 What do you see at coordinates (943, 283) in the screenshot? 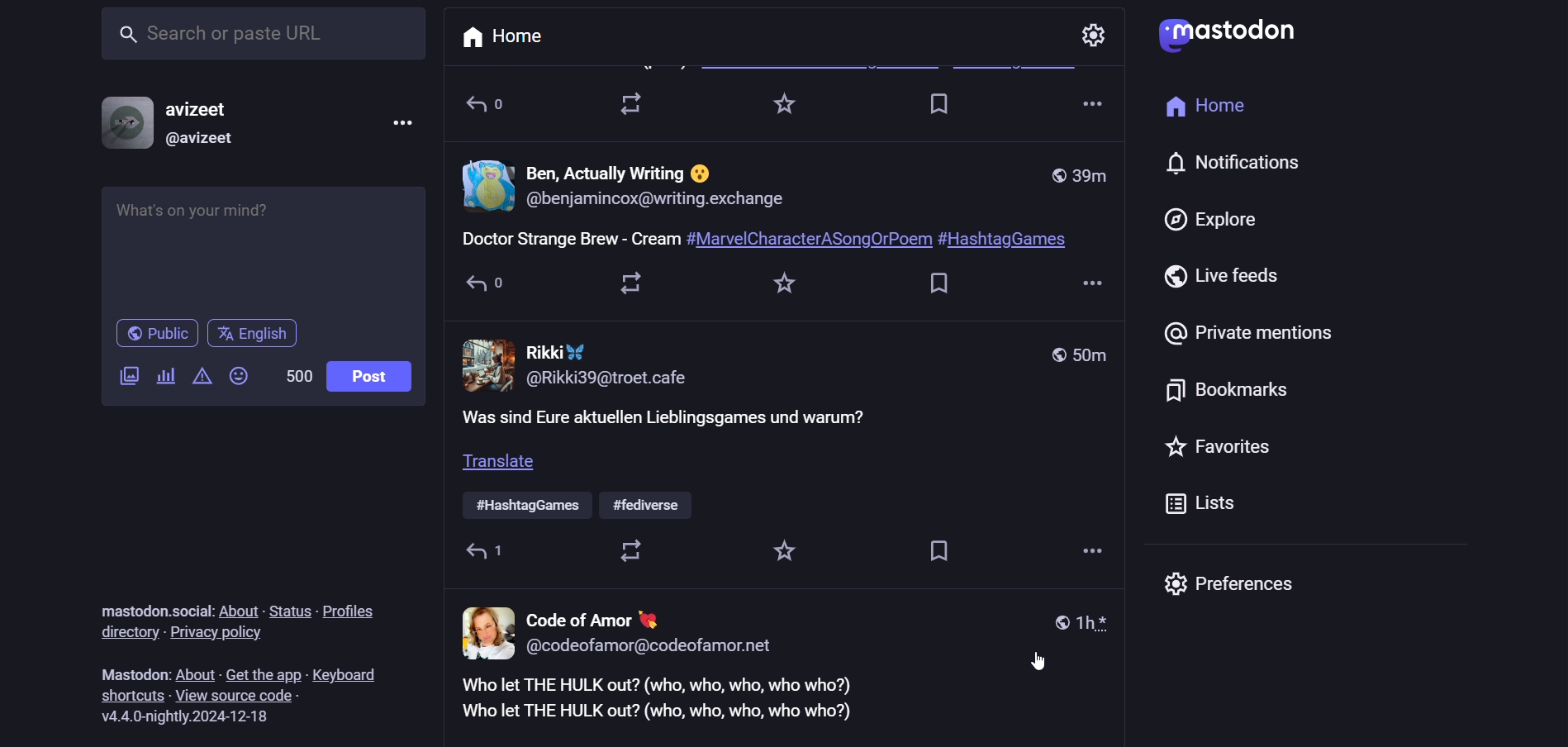
I see `bookmark` at bounding box center [943, 283].